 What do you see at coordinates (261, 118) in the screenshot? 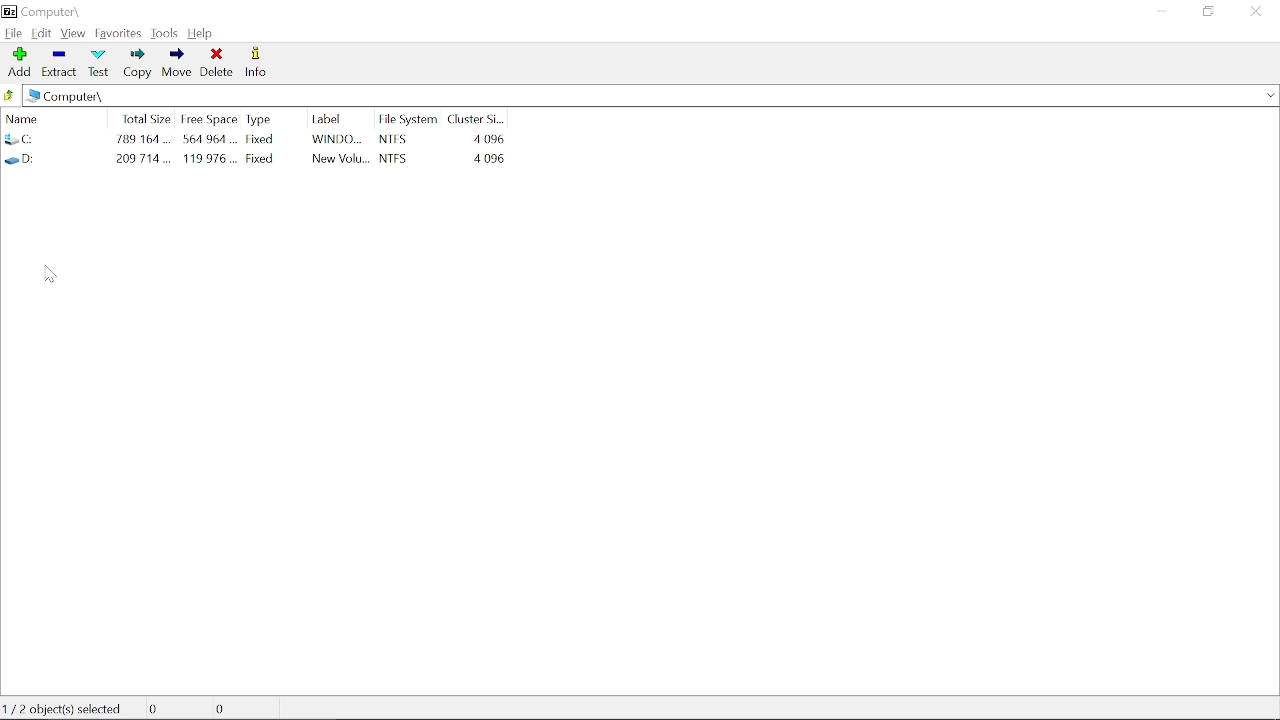
I see `type` at bounding box center [261, 118].